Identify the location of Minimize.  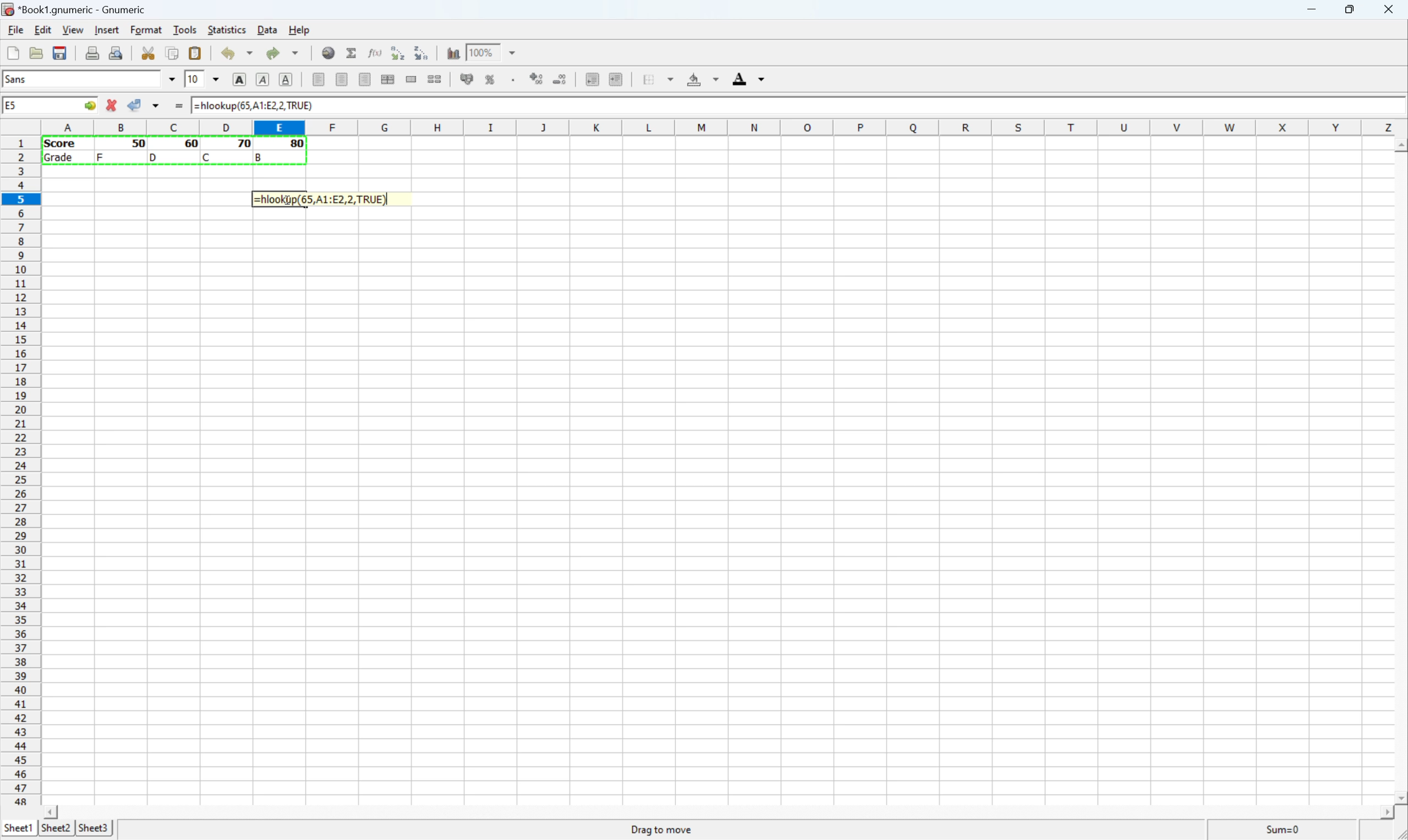
(1311, 10).